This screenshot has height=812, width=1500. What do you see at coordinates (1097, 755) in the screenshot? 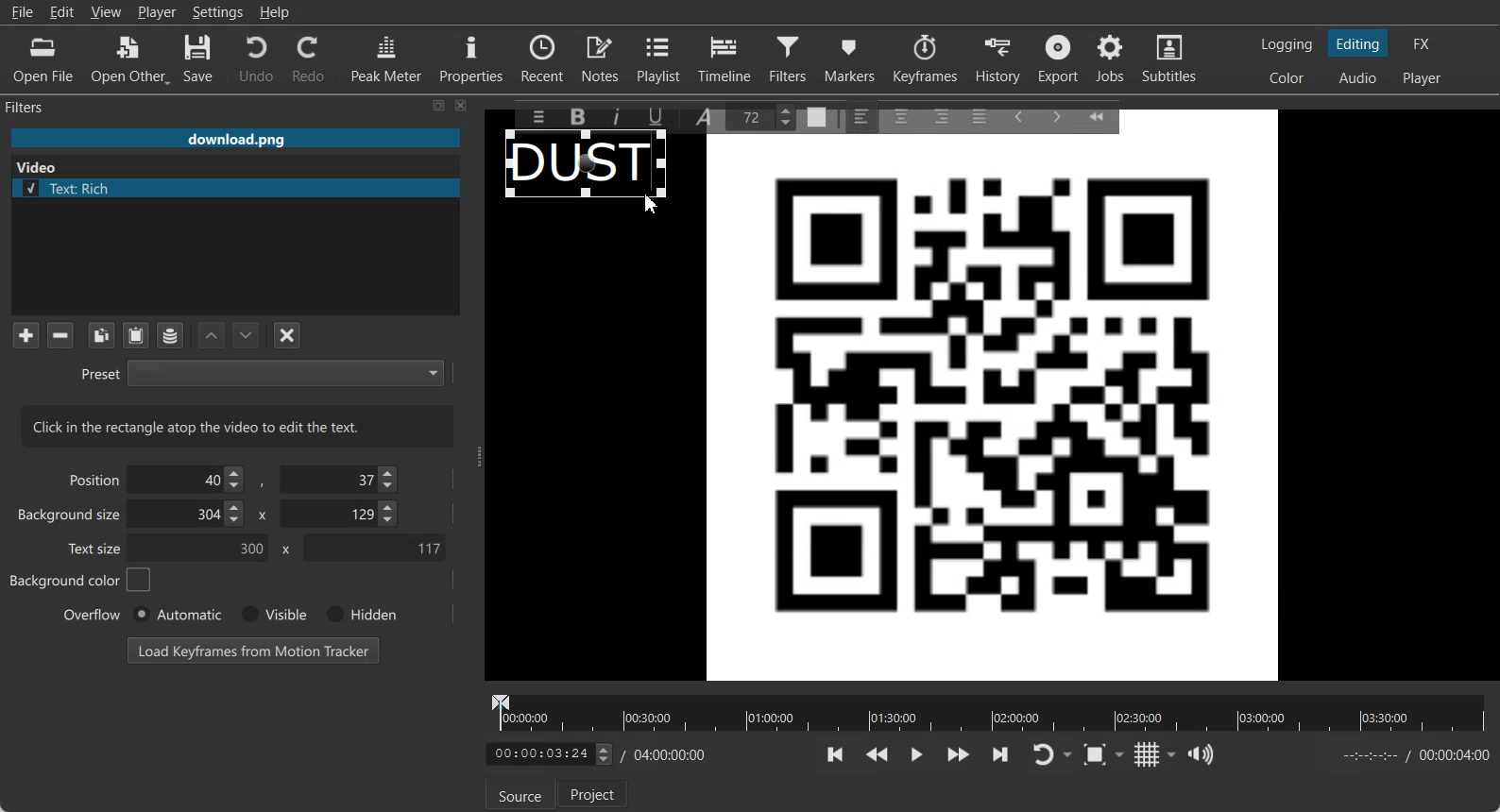
I see `Toggle Zoom` at bounding box center [1097, 755].